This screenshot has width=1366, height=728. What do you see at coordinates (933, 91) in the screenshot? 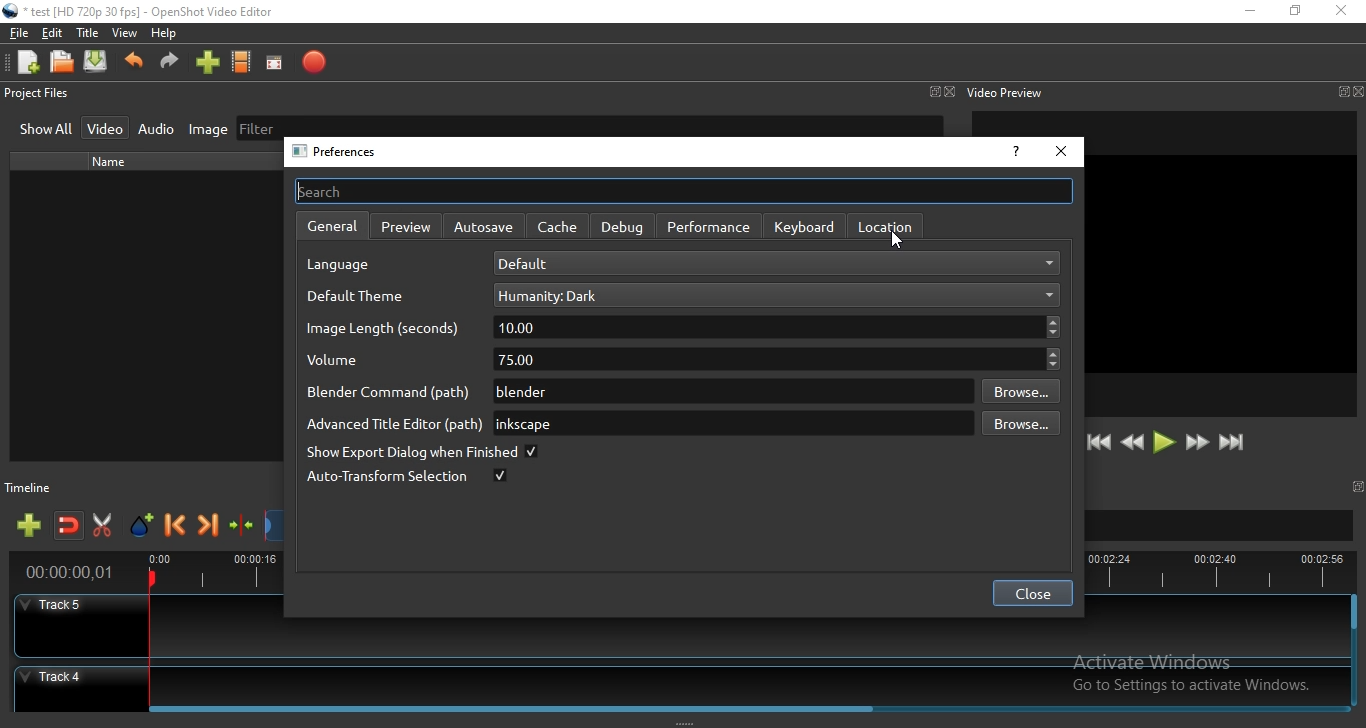
I see `Window ` at bounding box center [933, 91].